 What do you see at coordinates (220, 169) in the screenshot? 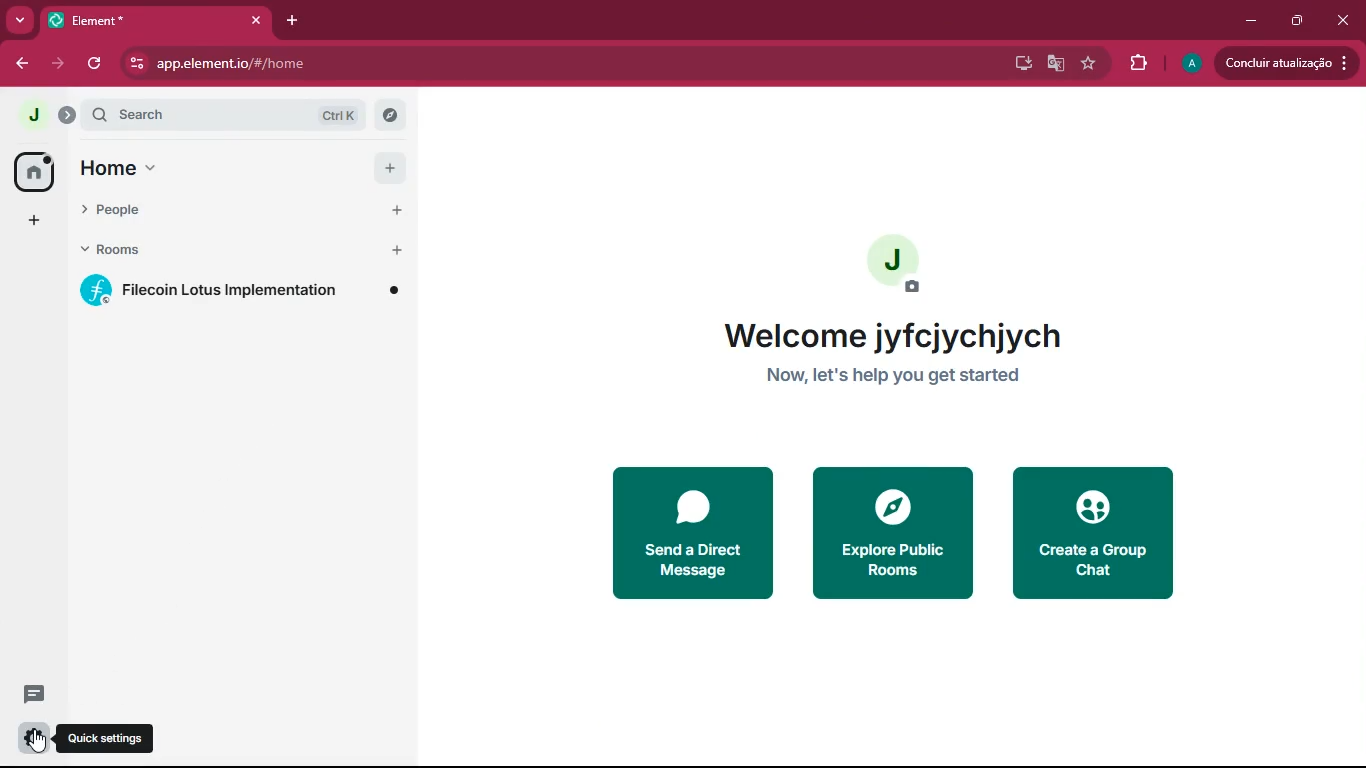
I see `home` at bounding box center [220, 169].